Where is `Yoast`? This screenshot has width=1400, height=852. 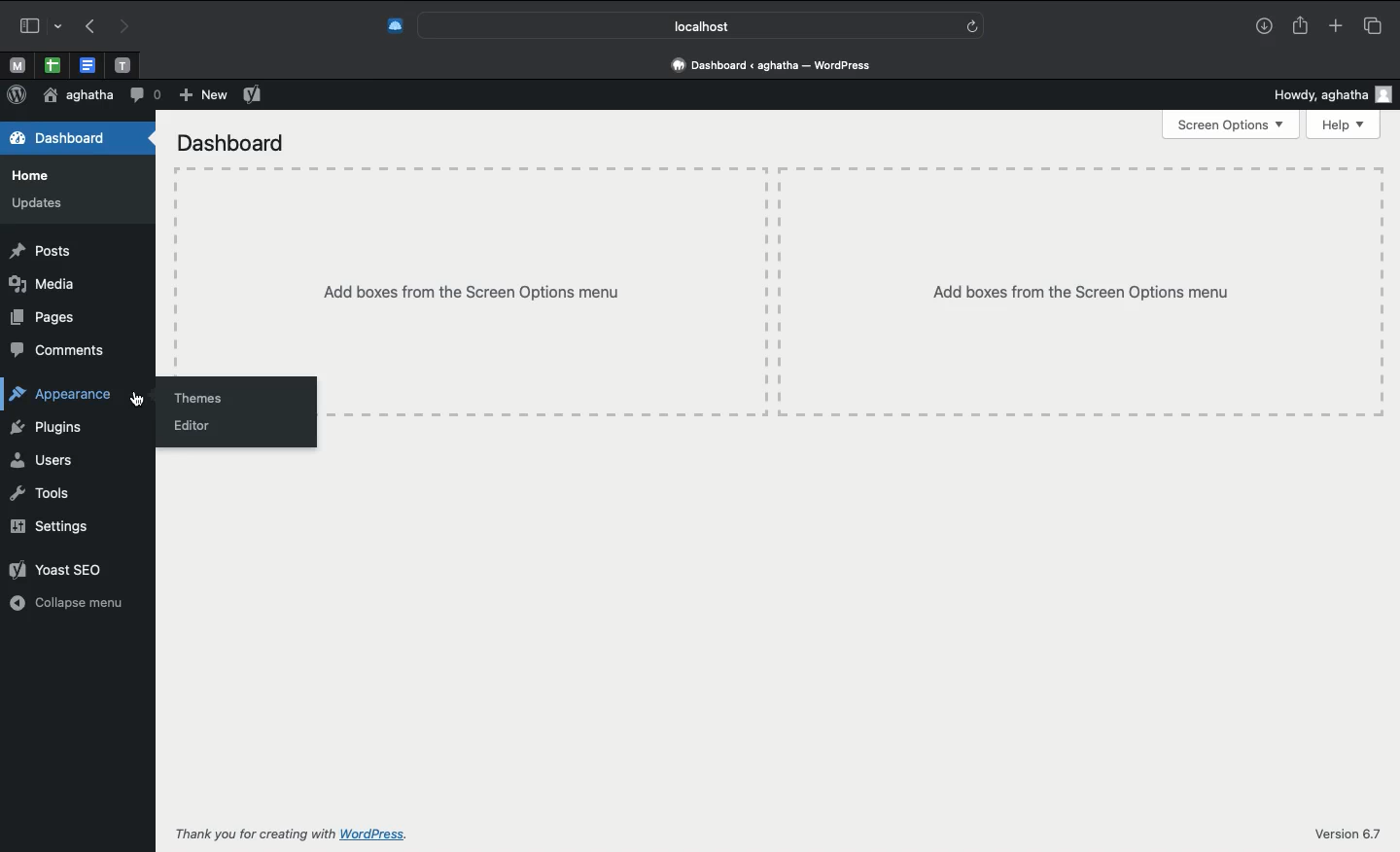
Yoast is located at coordinates (252, 94).